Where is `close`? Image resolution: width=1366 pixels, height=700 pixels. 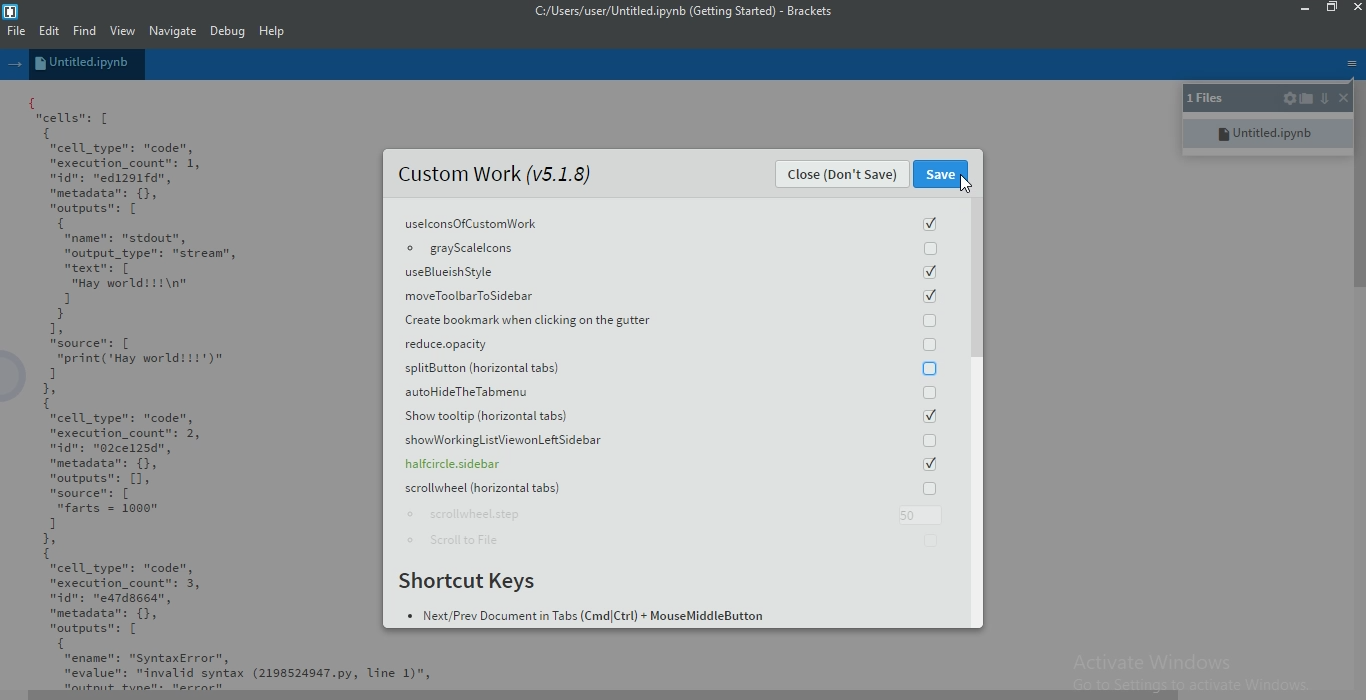
close is located at coordinates (1355, 11).